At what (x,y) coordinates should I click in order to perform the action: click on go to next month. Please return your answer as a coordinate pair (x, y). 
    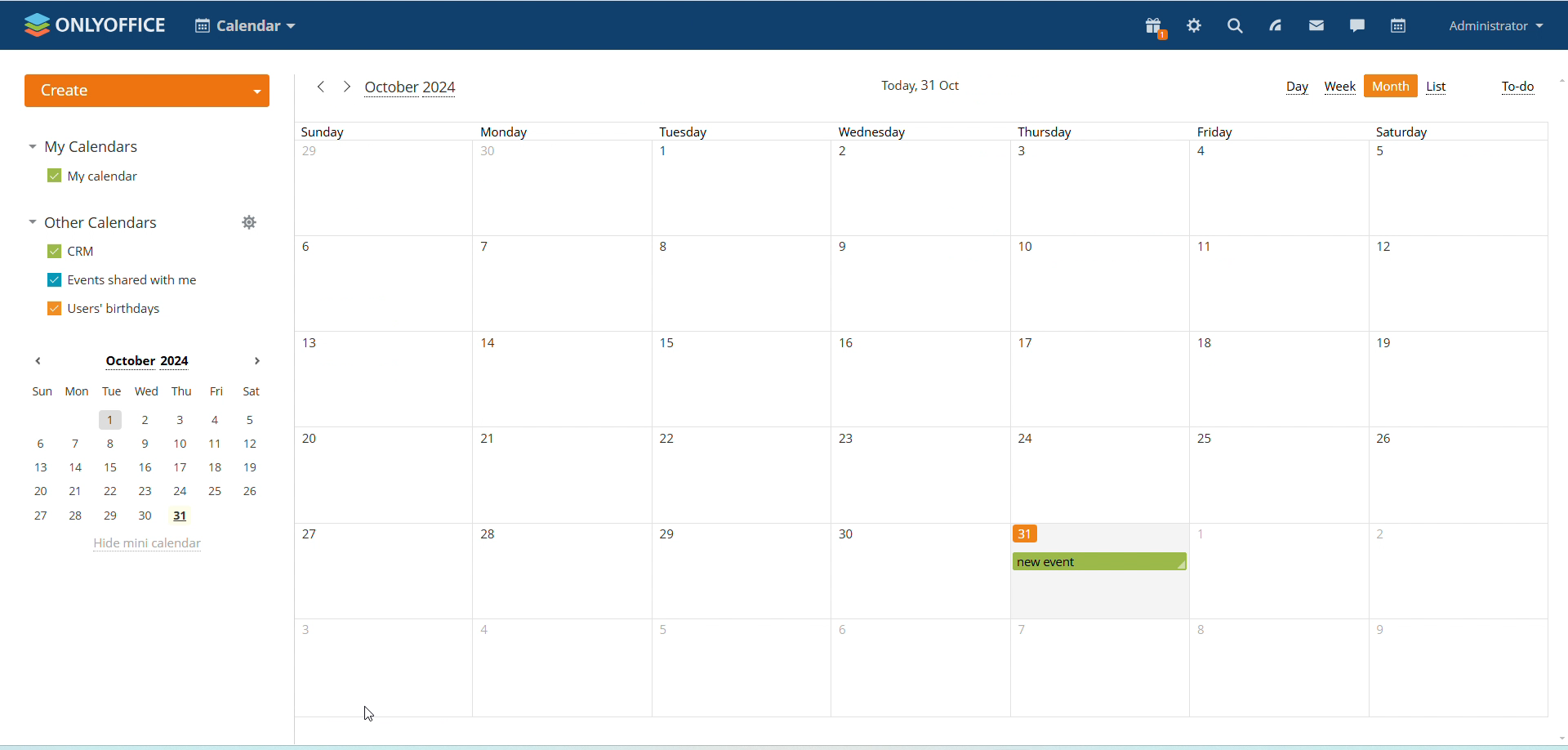
    Looking at the image, I should click on (345, 87).